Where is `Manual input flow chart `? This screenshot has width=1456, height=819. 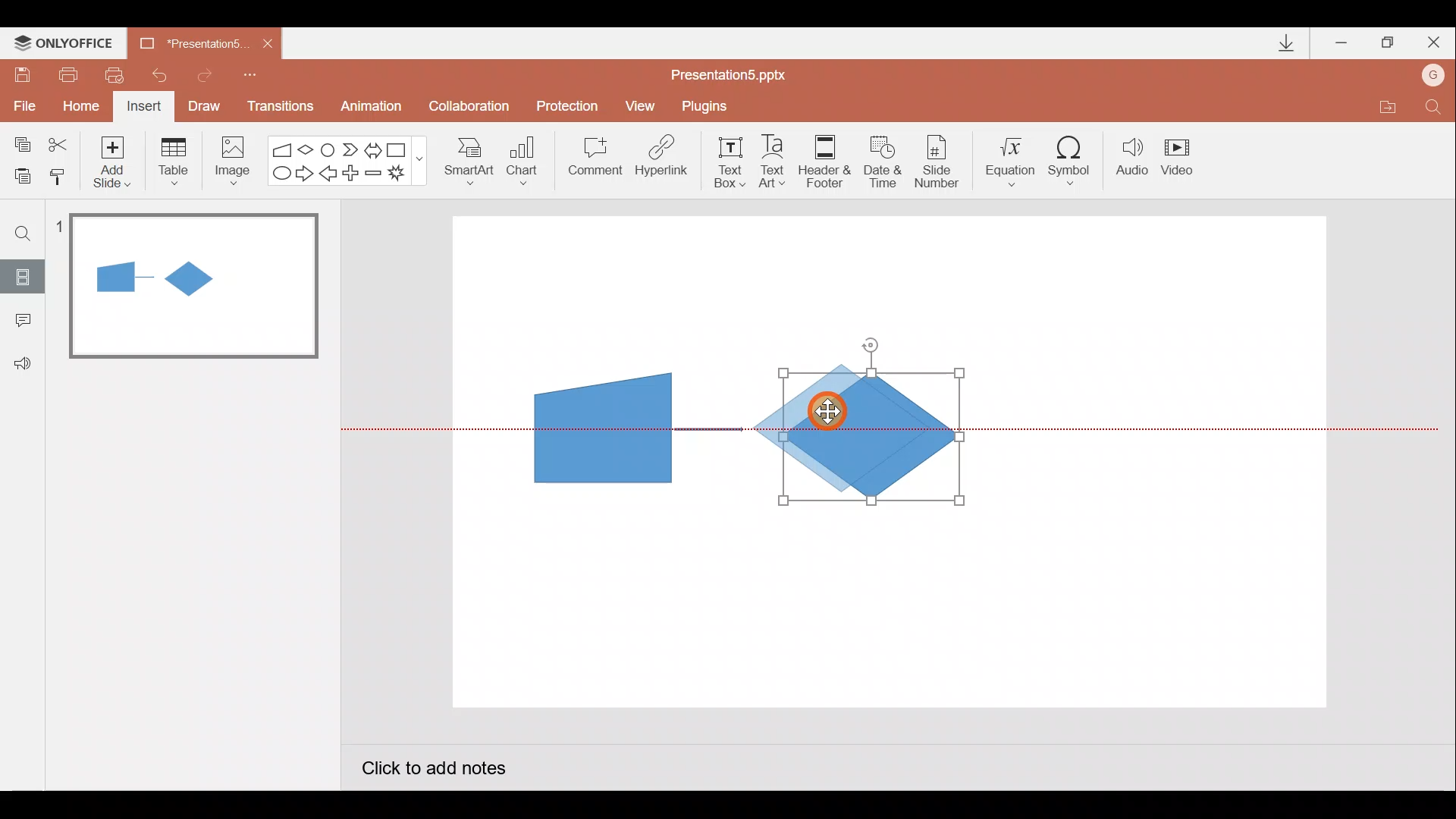
Manual input flow chart  is located at coordinates (600, 426).